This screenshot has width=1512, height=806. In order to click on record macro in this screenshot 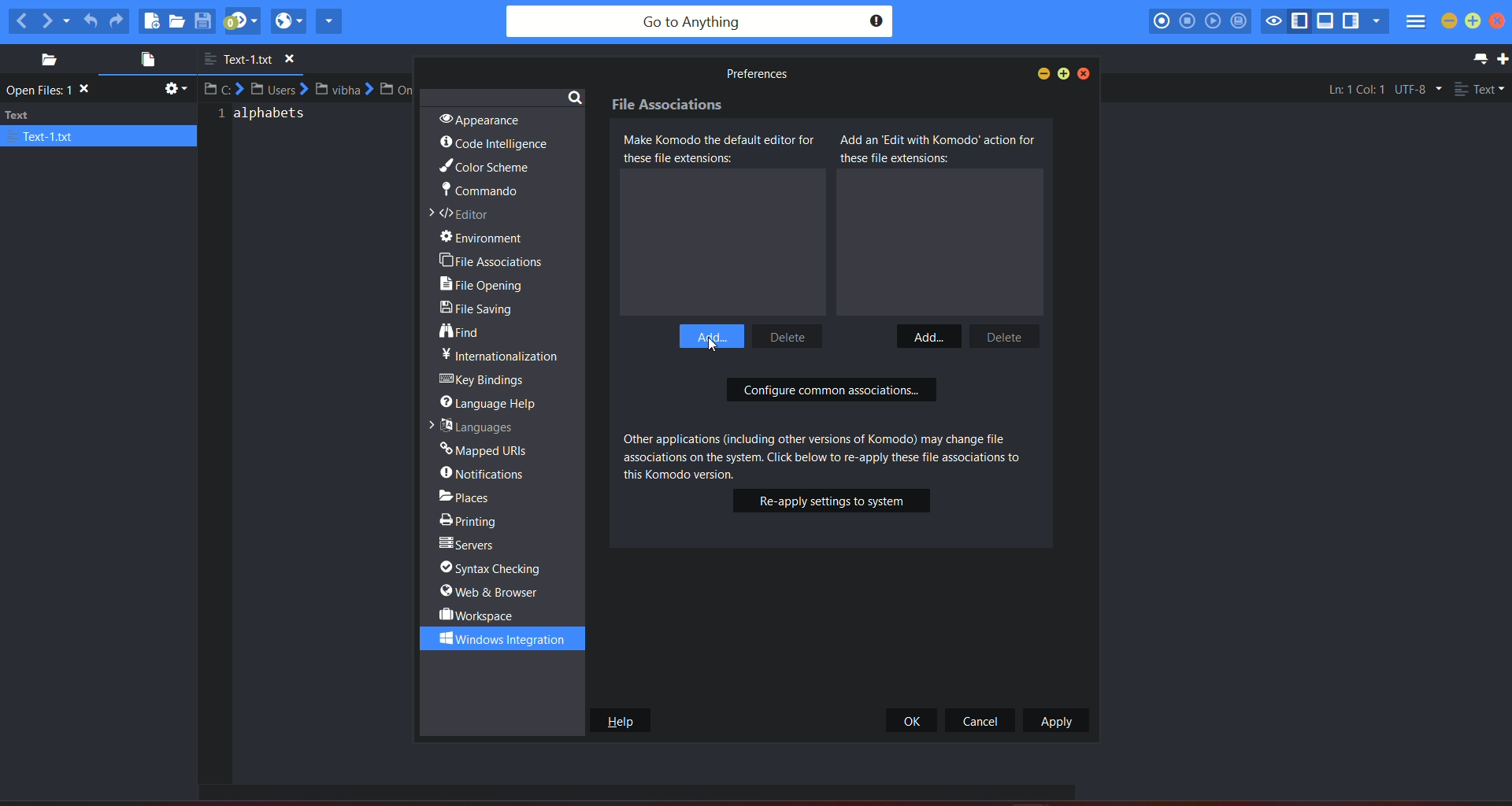, I will do `click(1162, 20)`.